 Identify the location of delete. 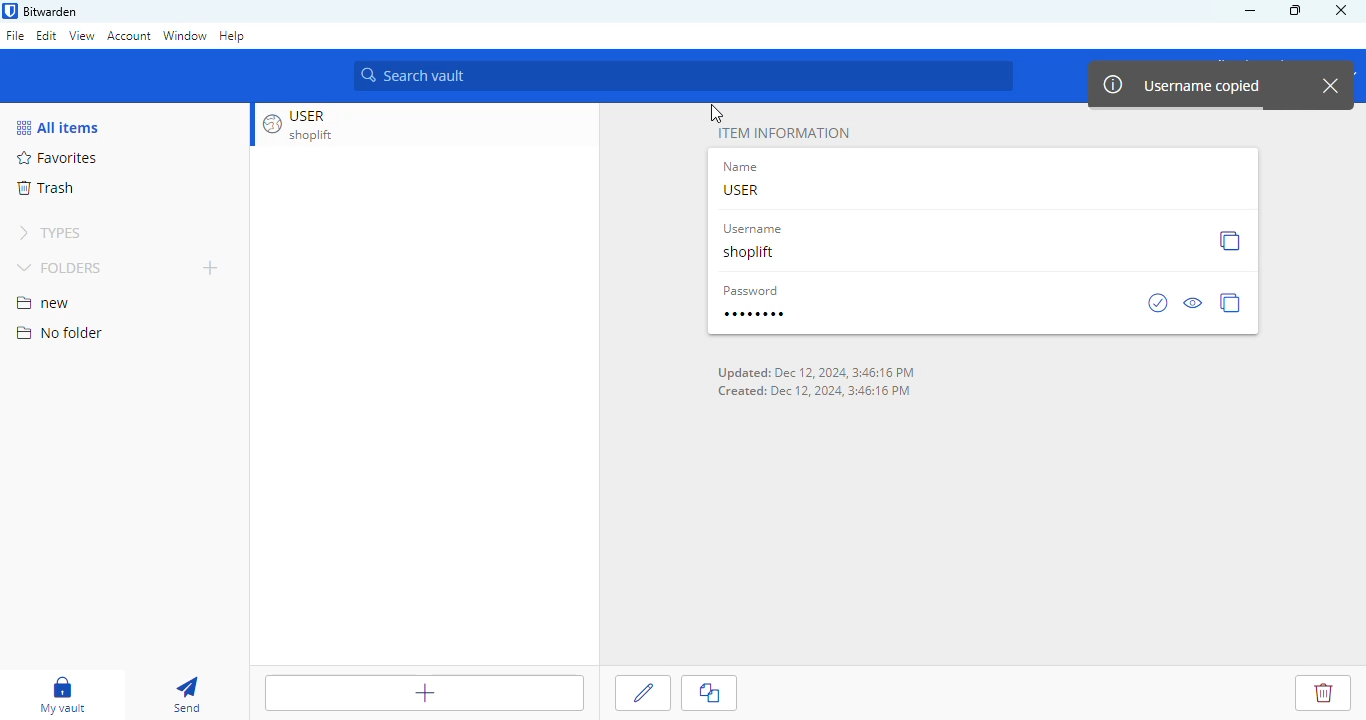
(1324, 692).